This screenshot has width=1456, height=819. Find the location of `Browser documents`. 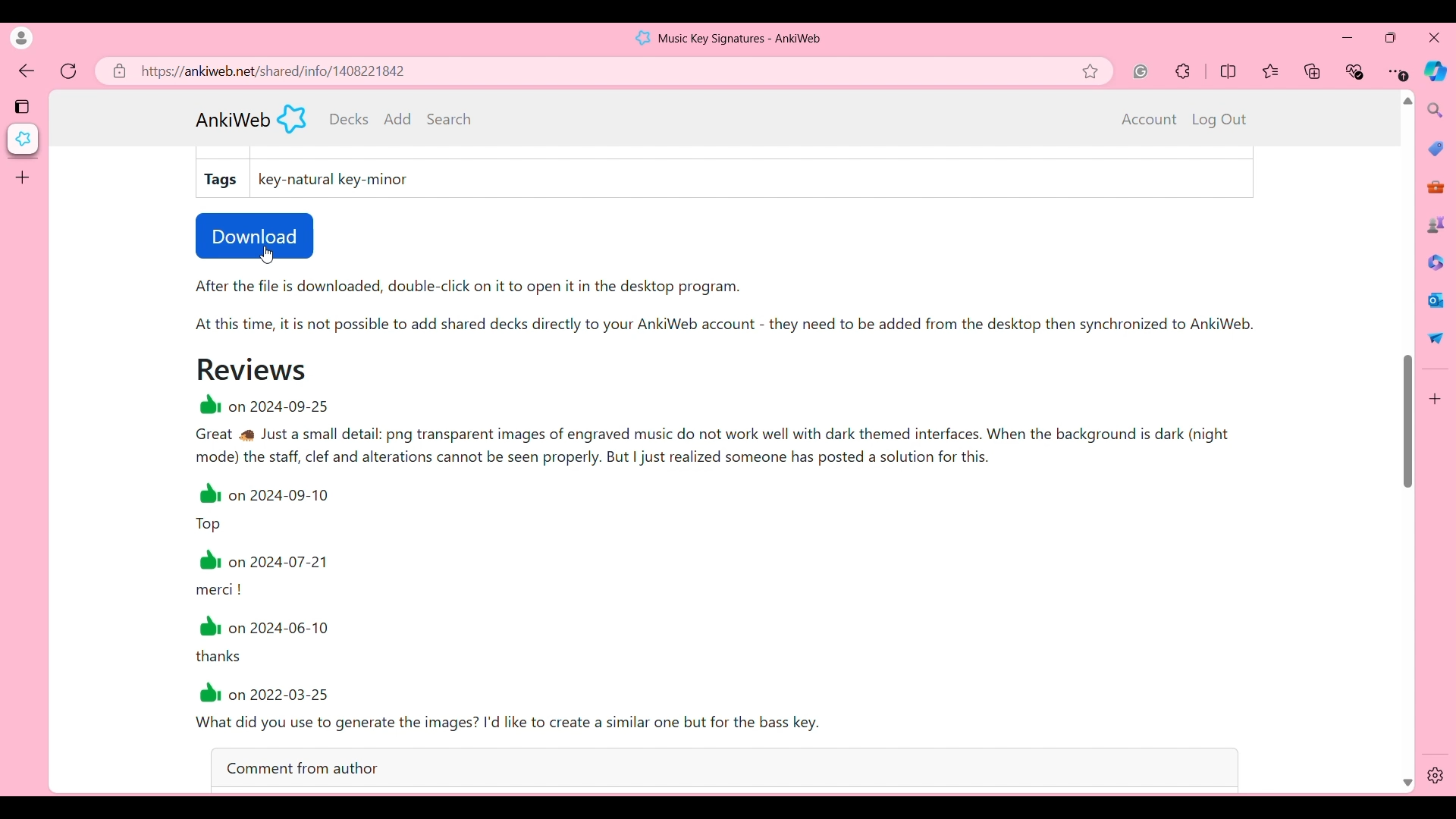

Browser documents is located at coordinates (1435, 262).